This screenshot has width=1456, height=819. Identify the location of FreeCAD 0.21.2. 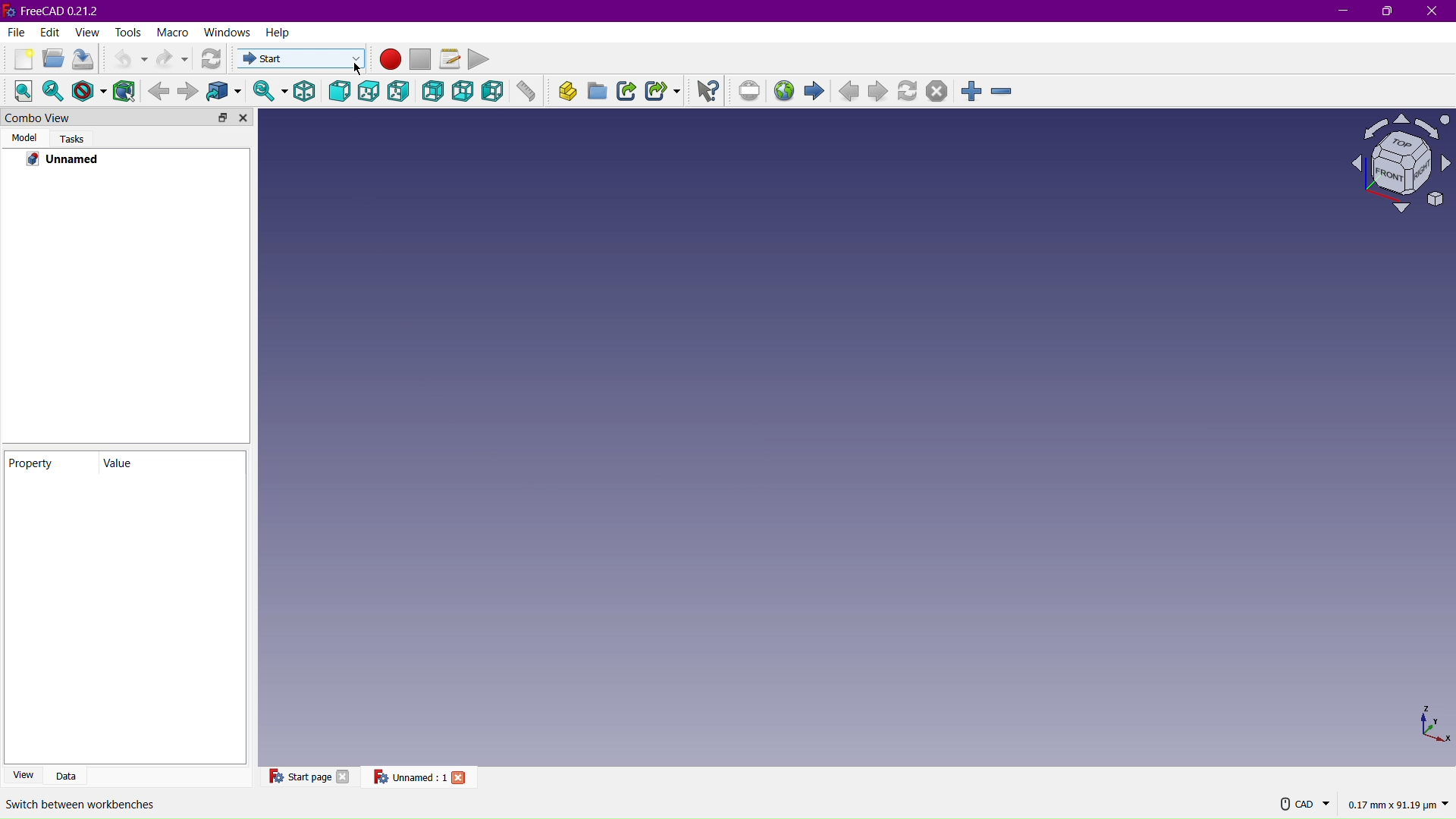
(58, 11).